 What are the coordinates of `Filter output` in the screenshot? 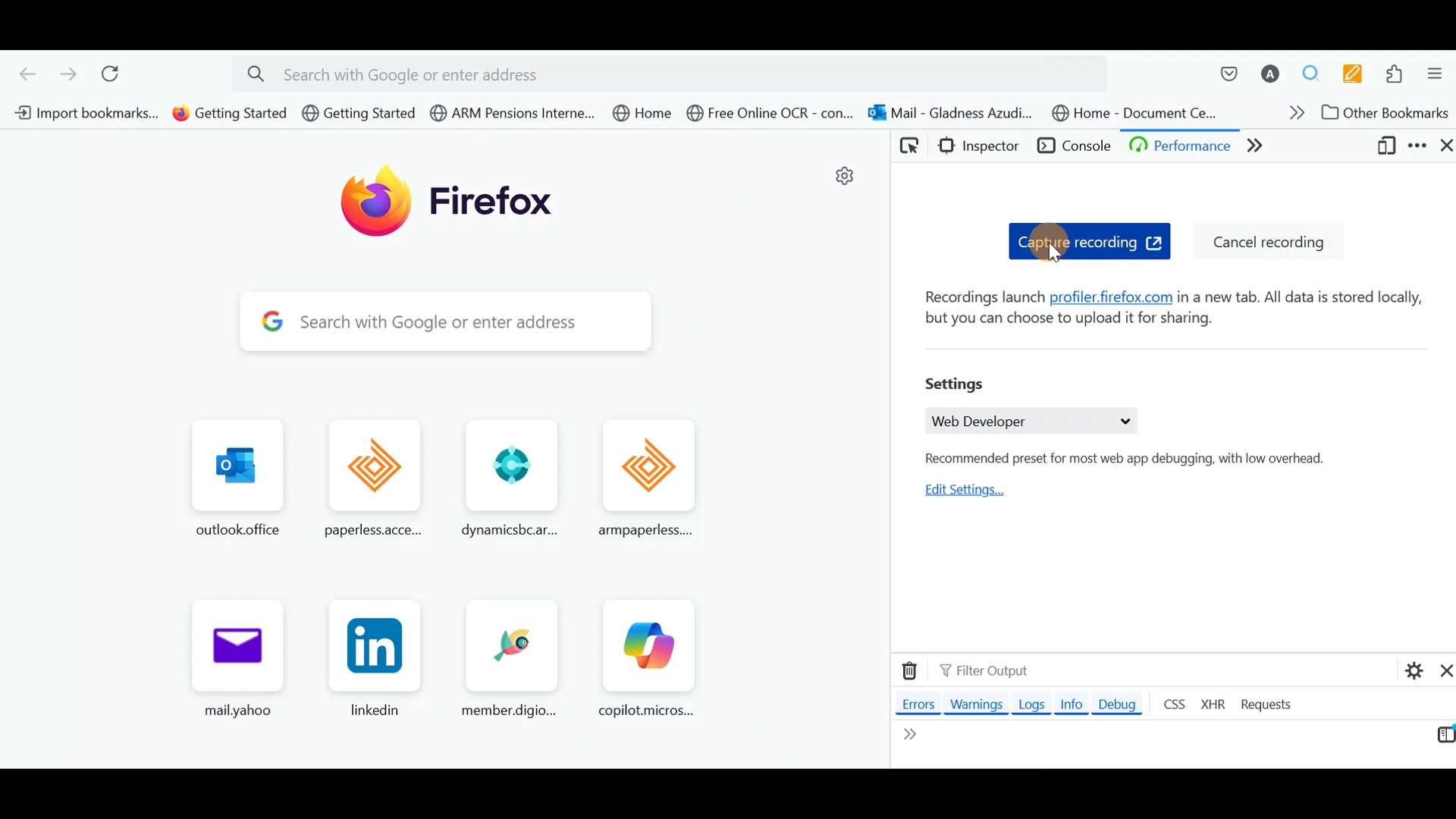 It's located at (981, 673).